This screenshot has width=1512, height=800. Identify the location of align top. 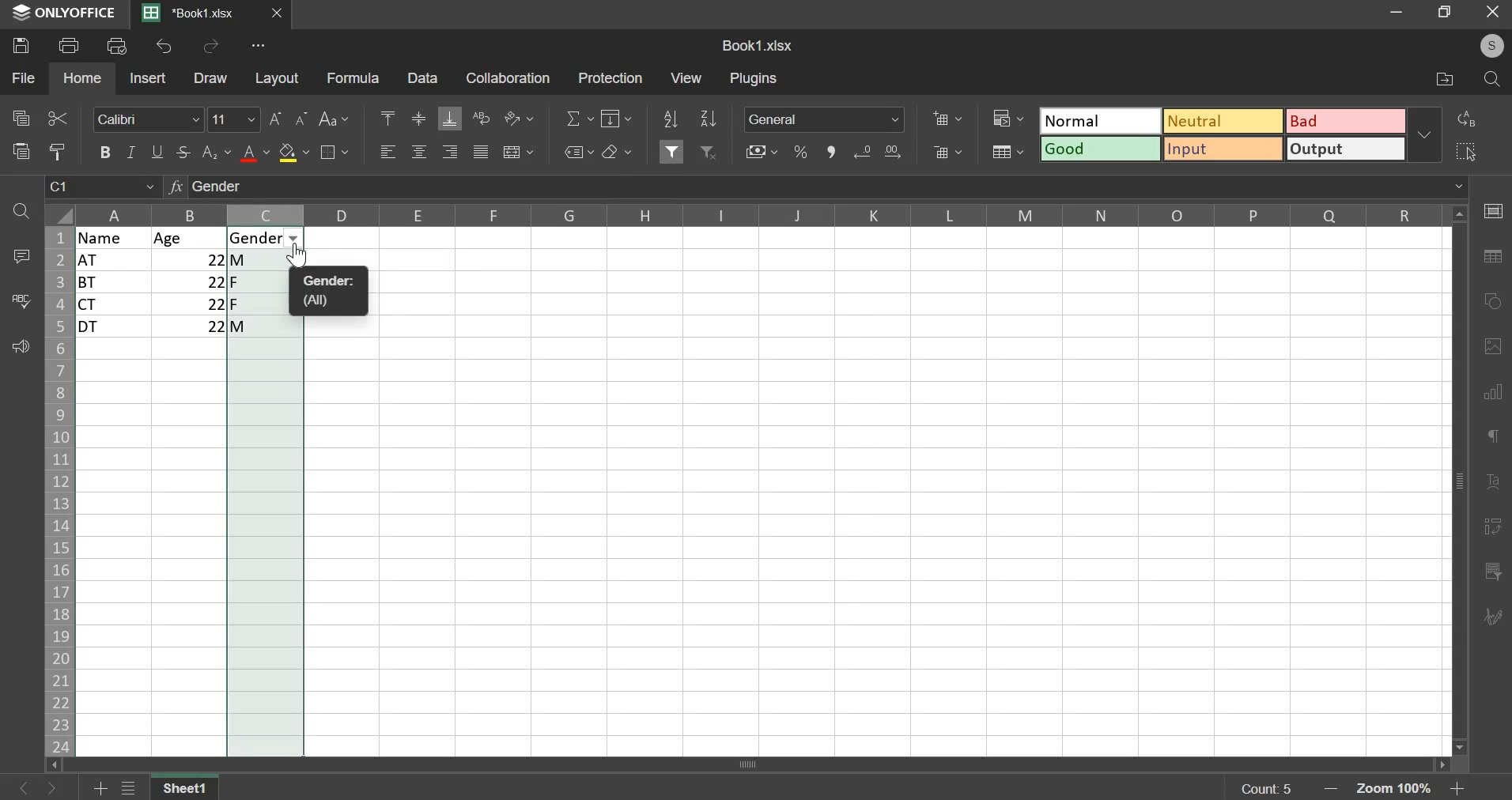
(387, 115).